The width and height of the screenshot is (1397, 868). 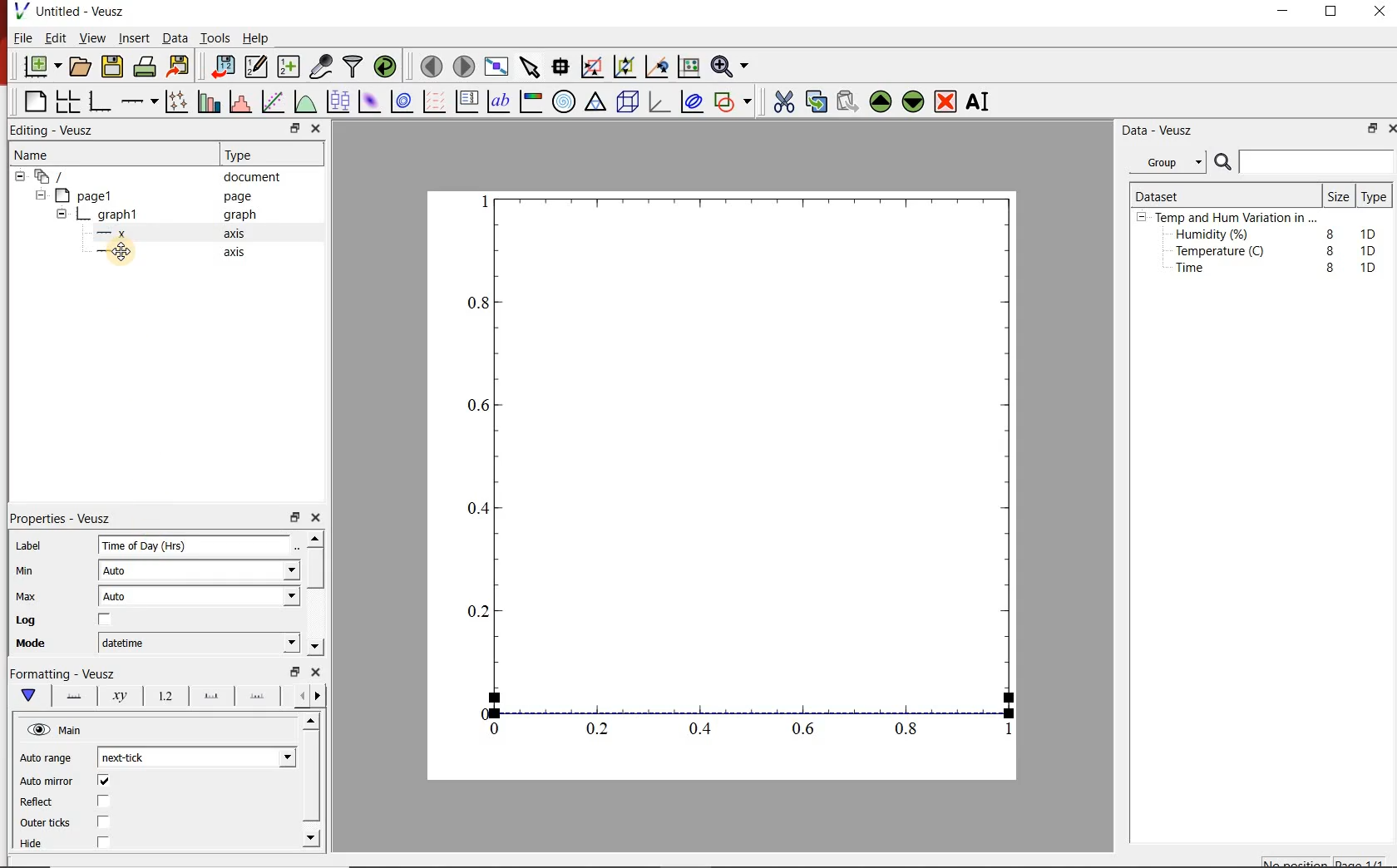 What do you see at coordinates (113, 67) in the screenshot?
I see `save the document` at bounding box center [113, 67].